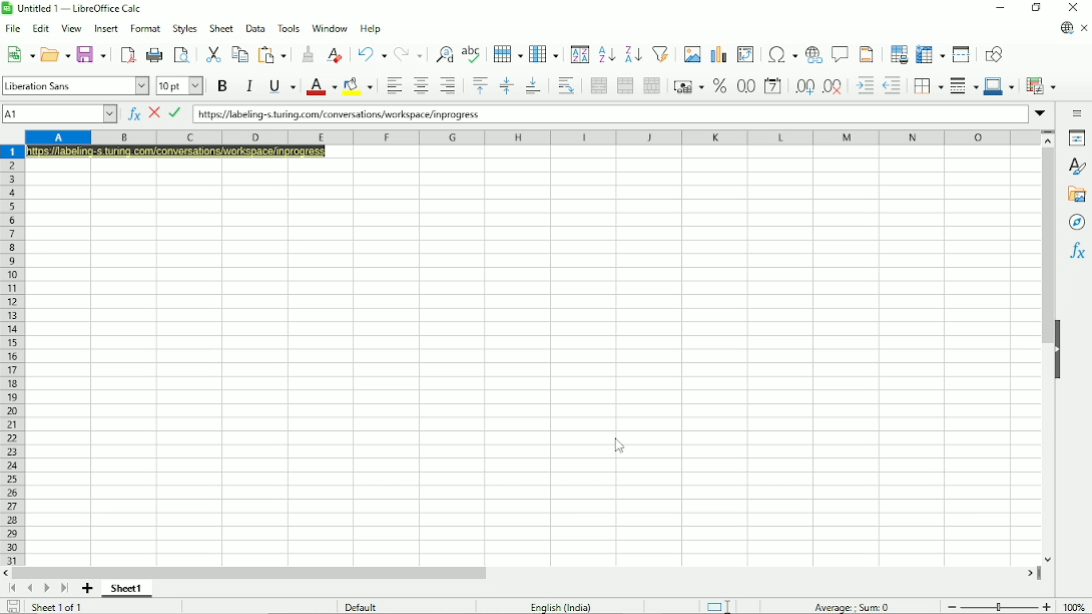 The height and width of the screenshot is (614, 1092). I want to click on Hide, so click(1061, 347).